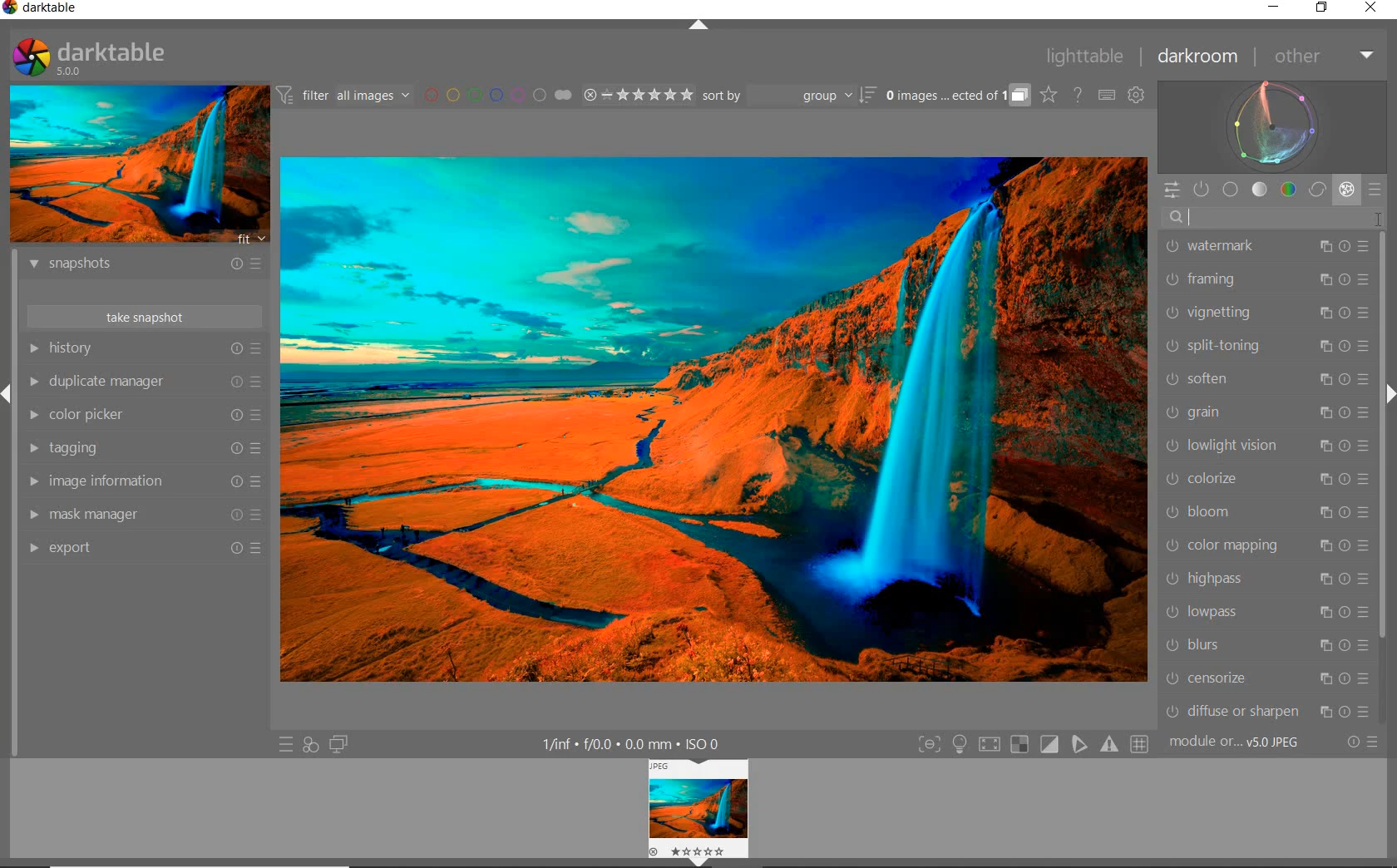 The image size is (1397, 868). I want to click on grain, so click(1266, 414).